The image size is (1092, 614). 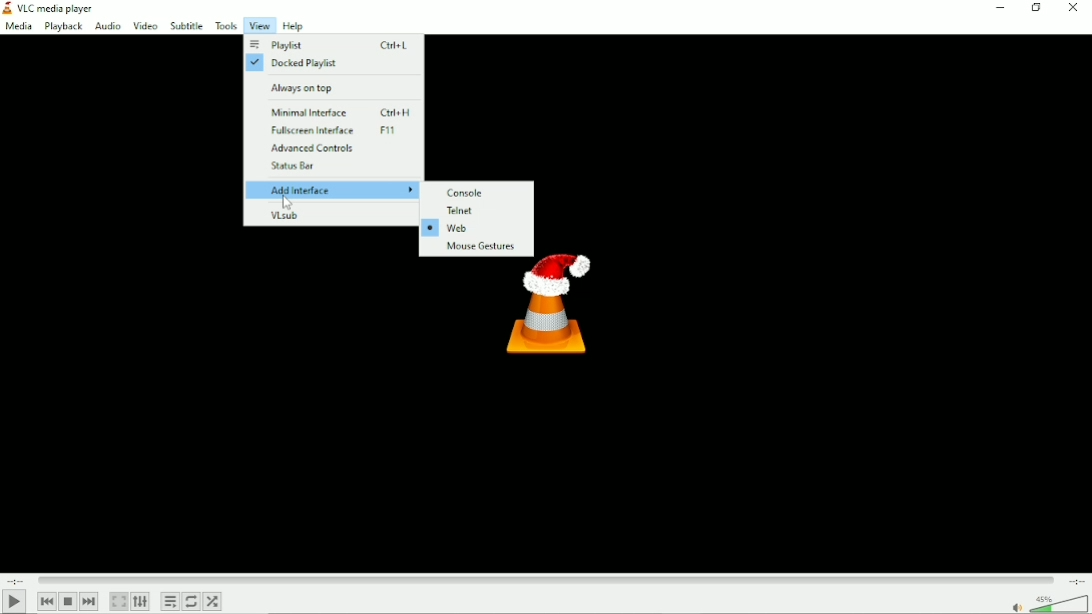 What do you see at coordinates (212, 601) in the screenshot?
I see `Random` at bounding box center [212, 601].